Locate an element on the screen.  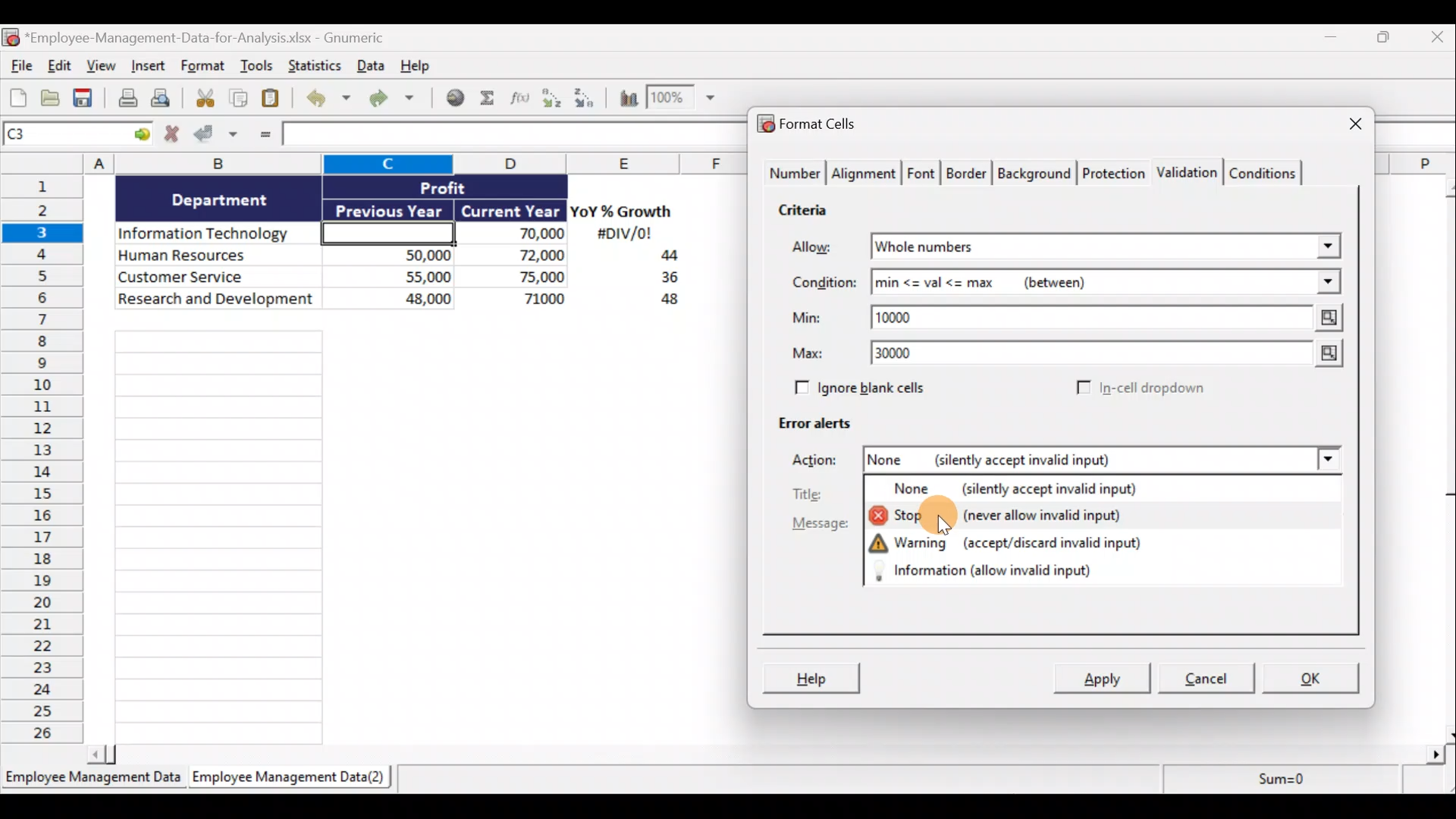
Cancel is located at coordinates (1212, 680).